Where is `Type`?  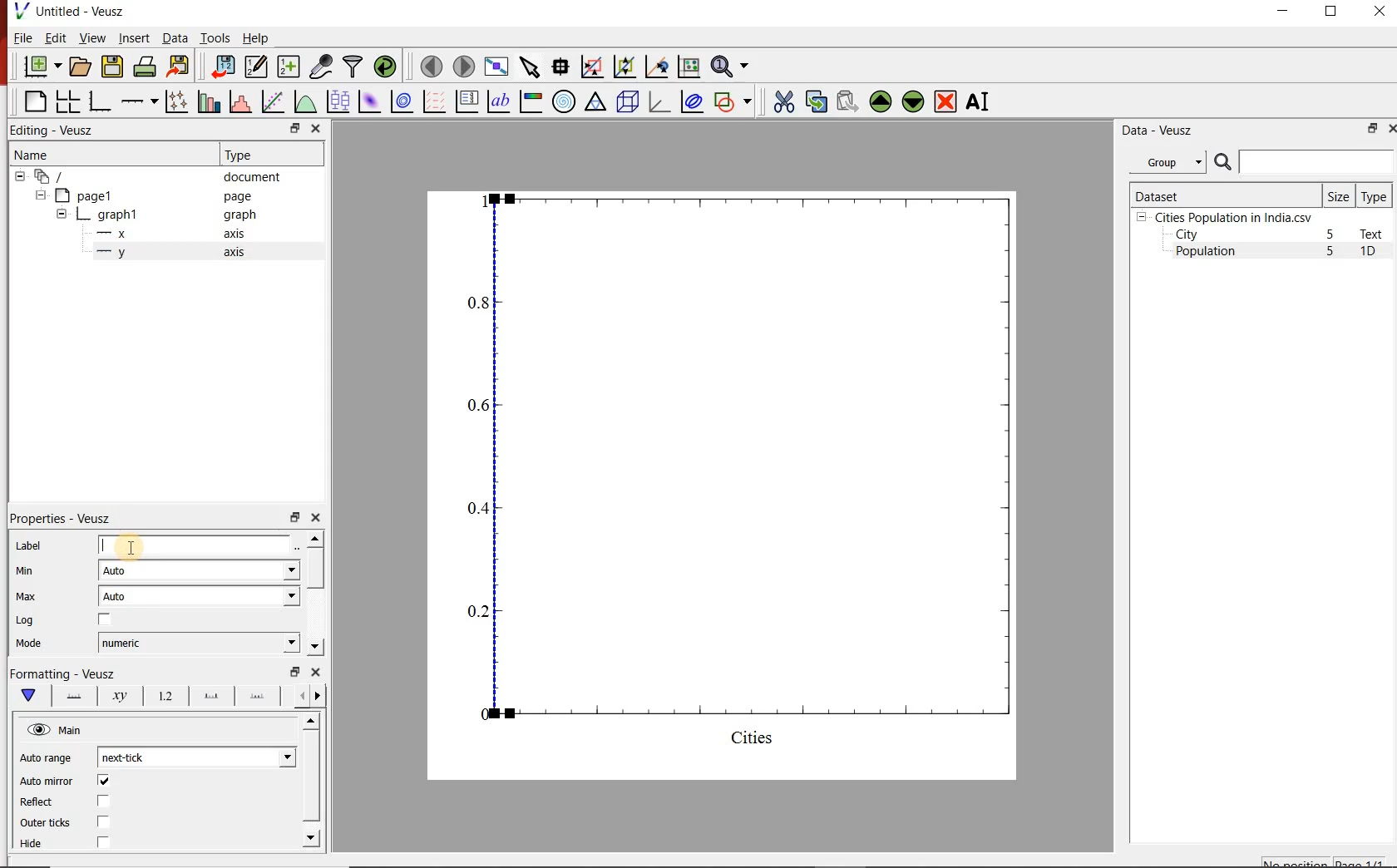
Type is located at coordinates (269, 155).